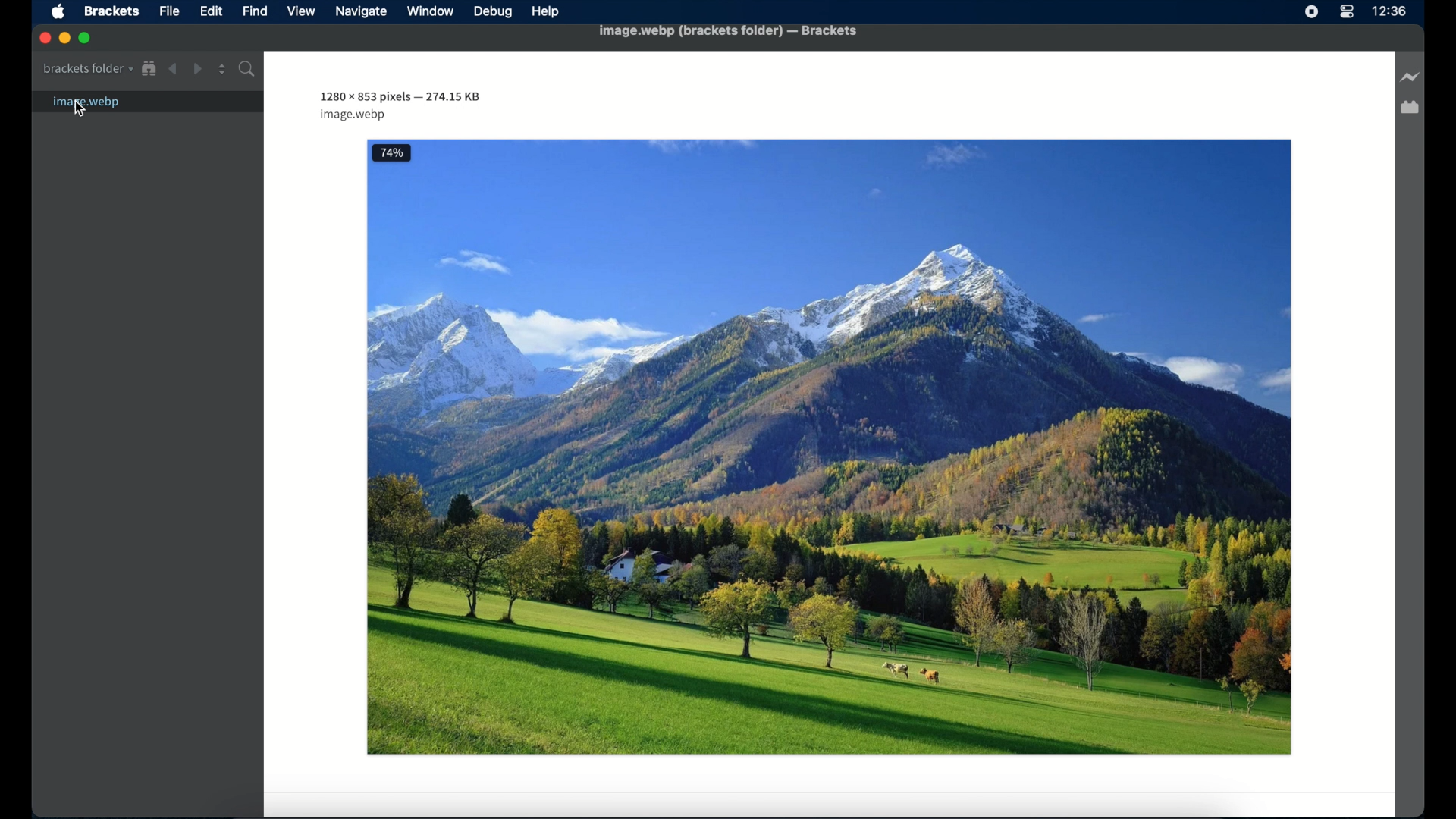  I want to click on split editor vertical or horizontal, so click(222, 69).